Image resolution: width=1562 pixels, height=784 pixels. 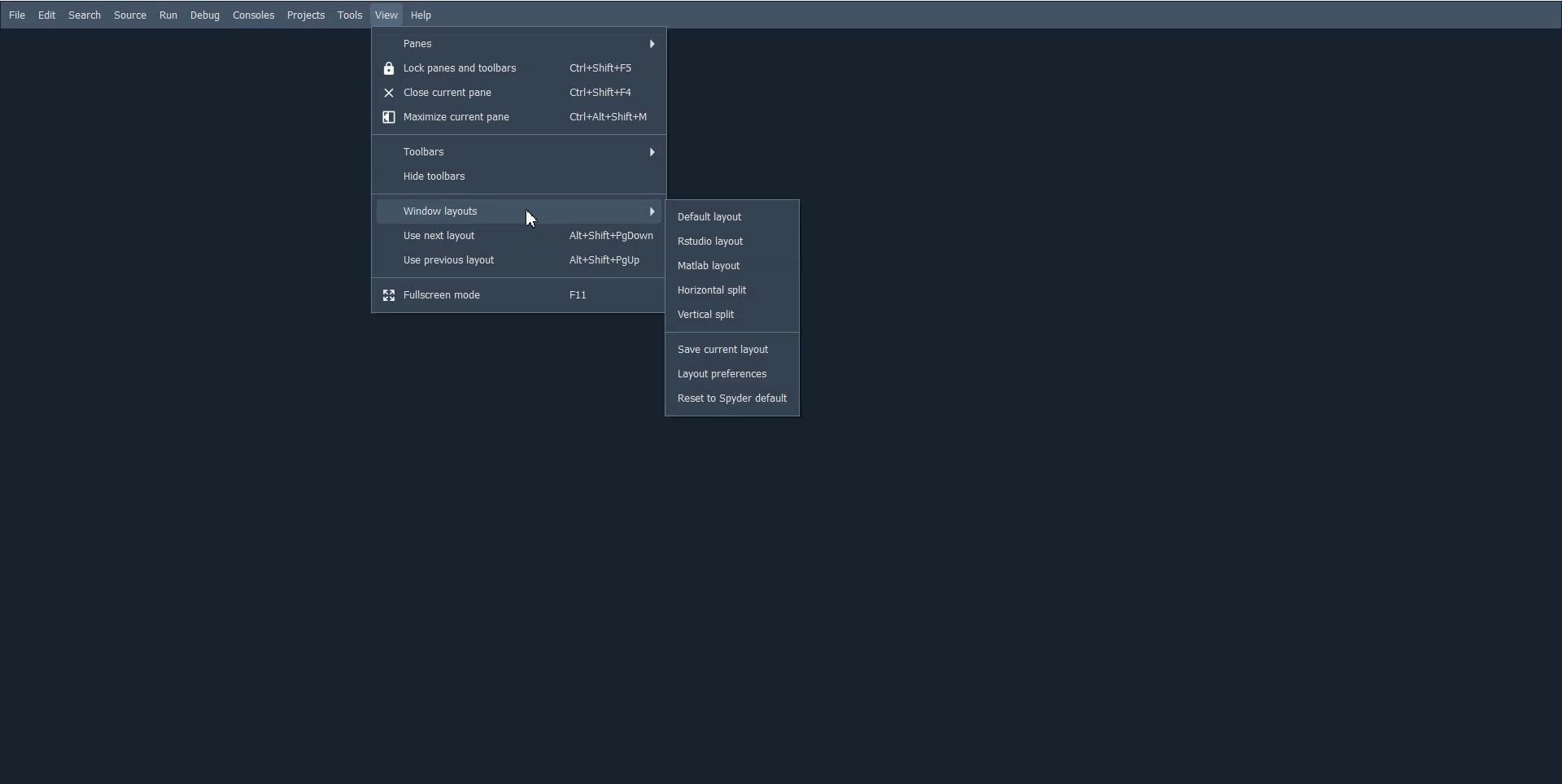 What do you see at coordinates (518, 235) in the screenshot?
I see `Use next layout` at bounding box center [518, 235].